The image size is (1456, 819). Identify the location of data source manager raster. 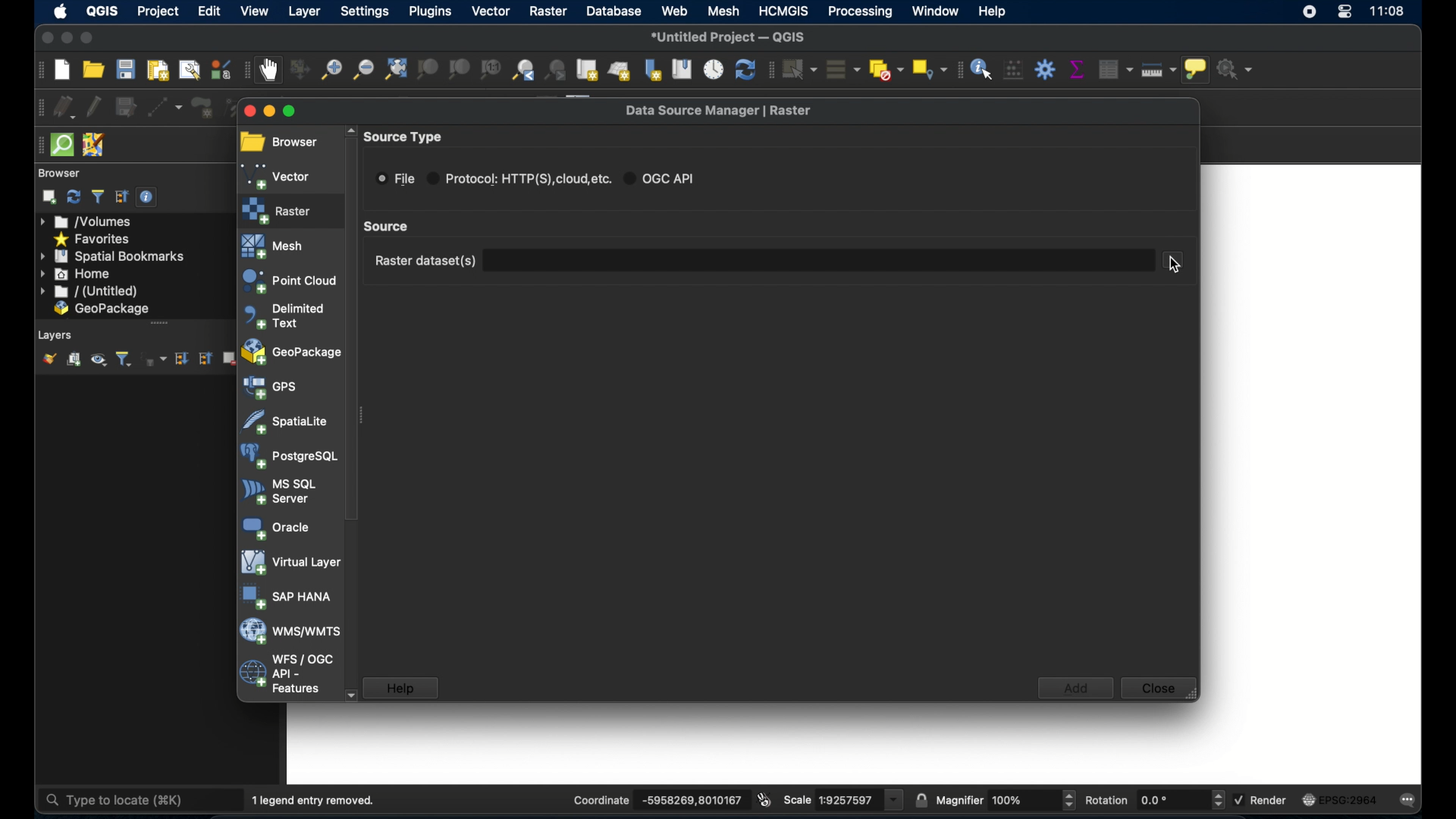
(720, 111).